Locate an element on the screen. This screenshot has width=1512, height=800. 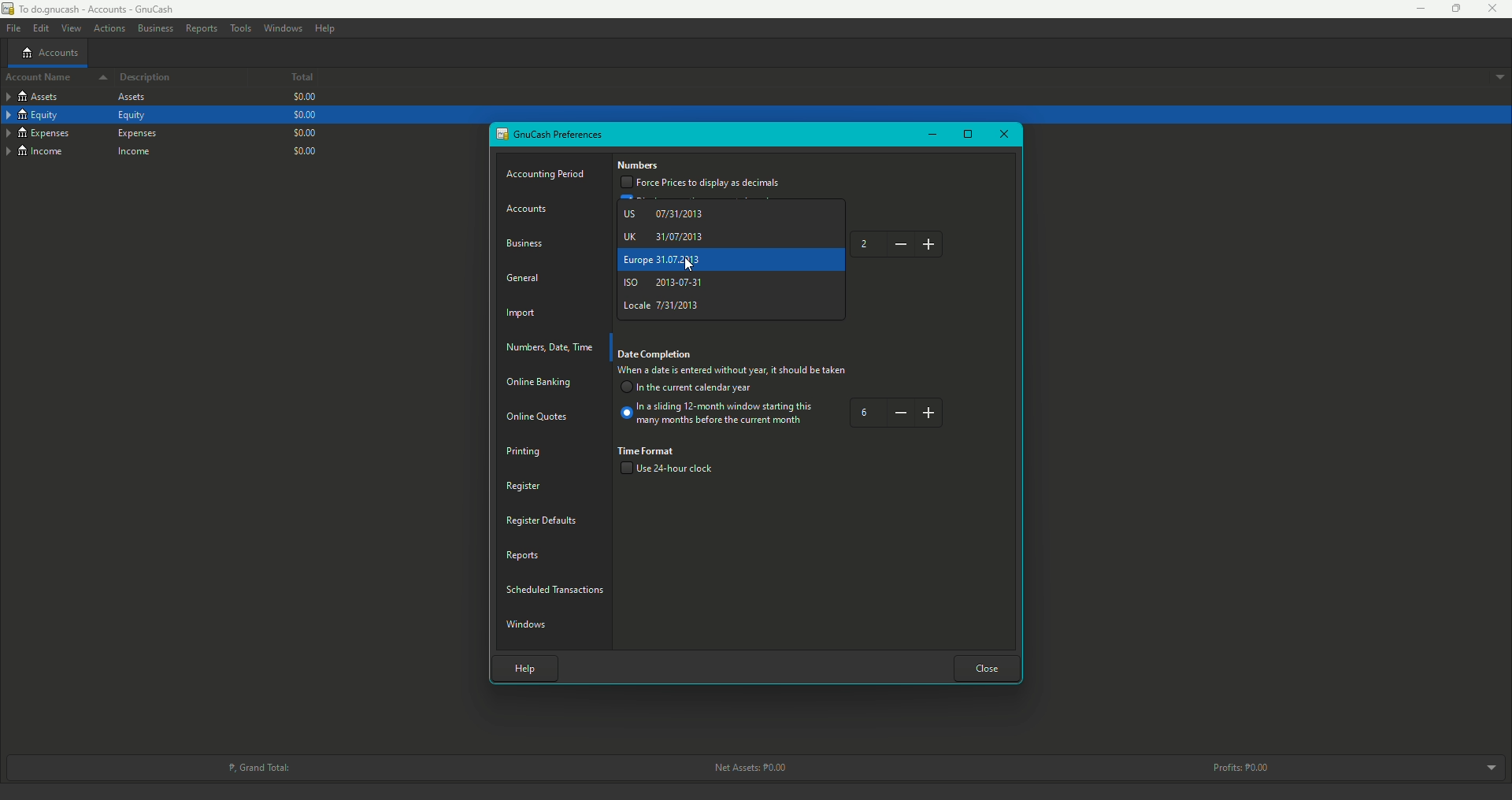
Report is located at coordinates (524, 554).